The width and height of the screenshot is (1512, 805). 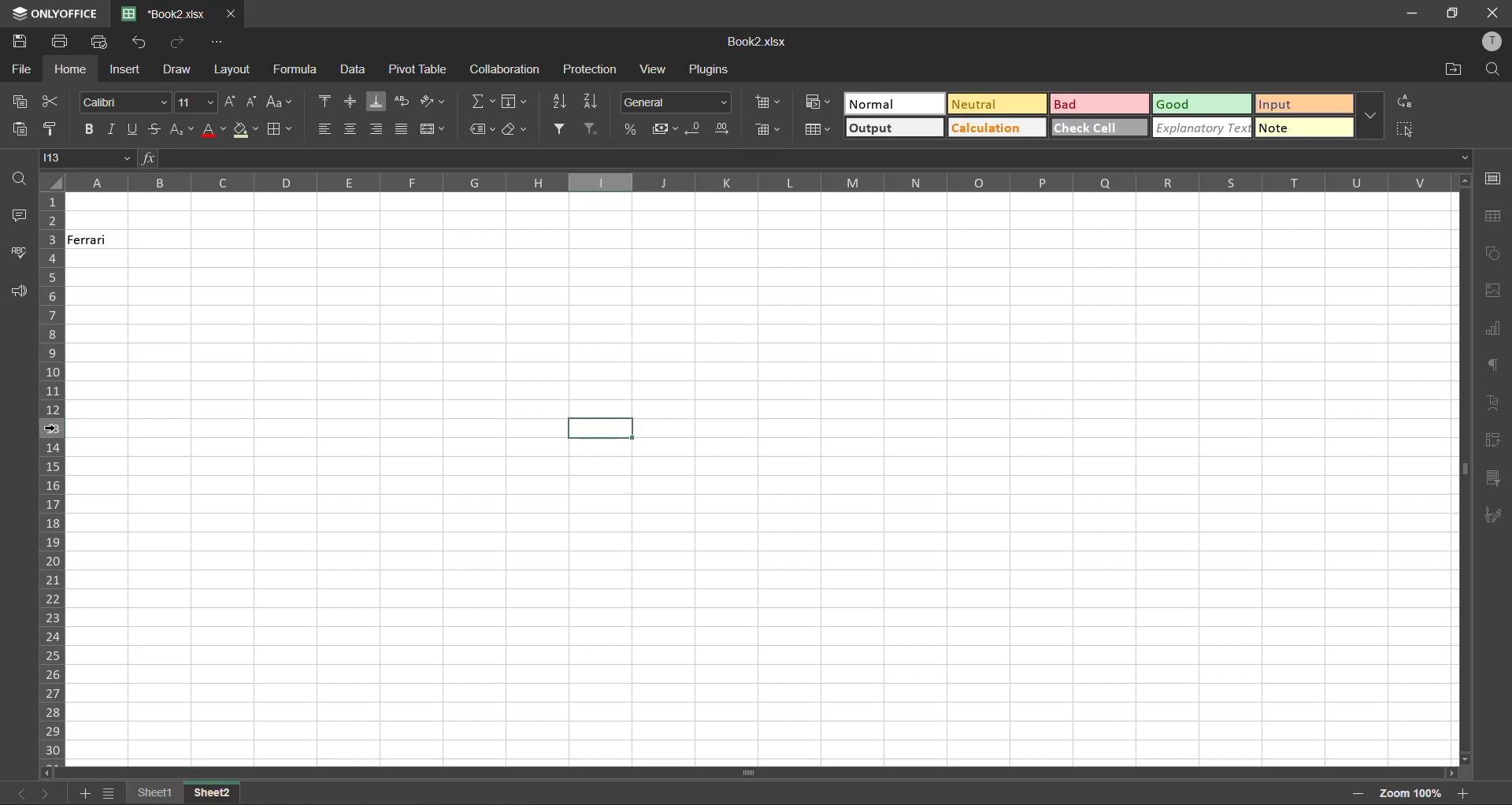 What do you see at coordinates (278, 130) in the screenshot?
I see `borders` at bounding box center [278, 130].